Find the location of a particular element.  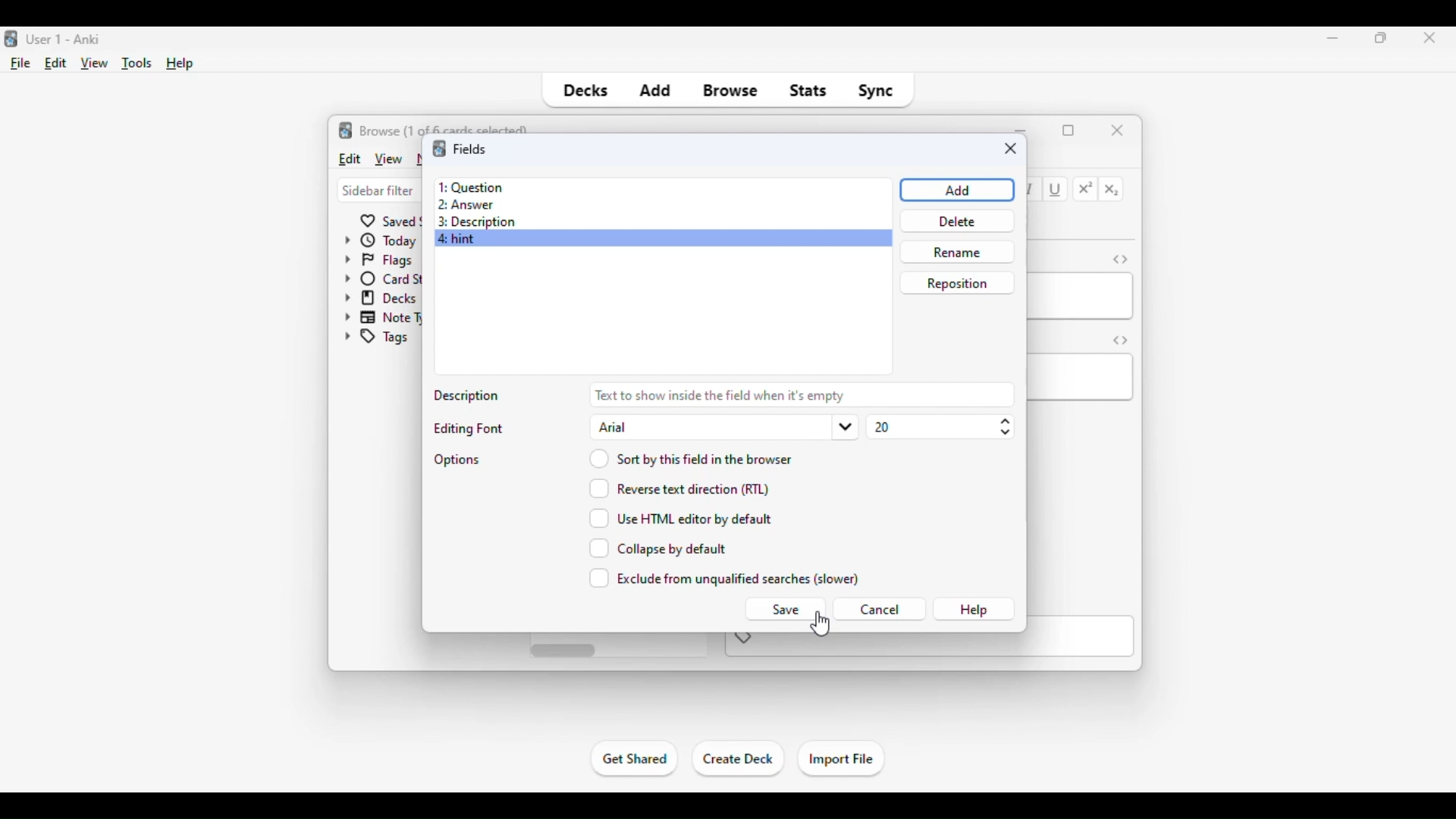

stats is located at coordinates (808, 91).